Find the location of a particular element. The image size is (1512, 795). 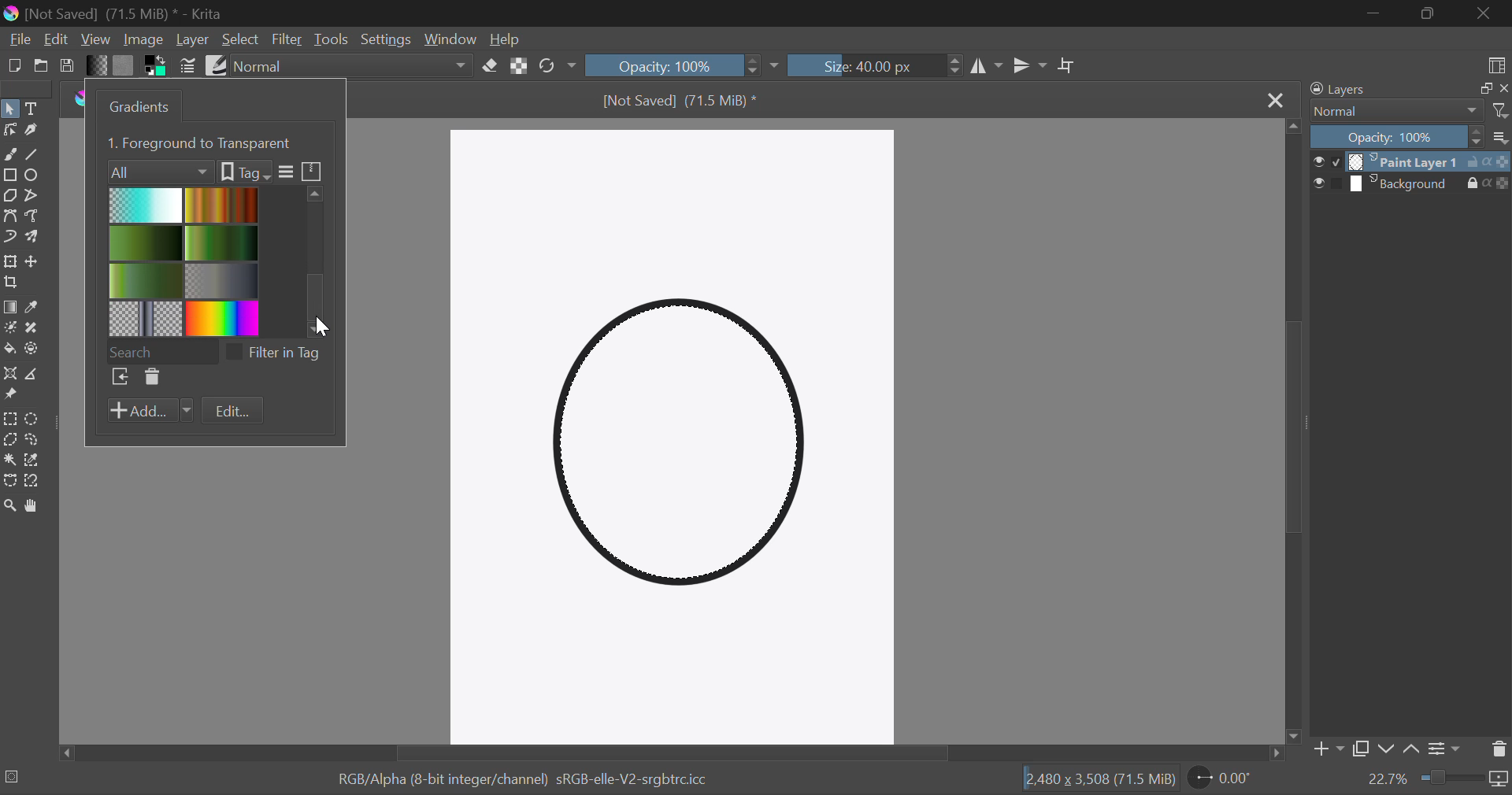

Normal is located at coordinates (1395, 112).